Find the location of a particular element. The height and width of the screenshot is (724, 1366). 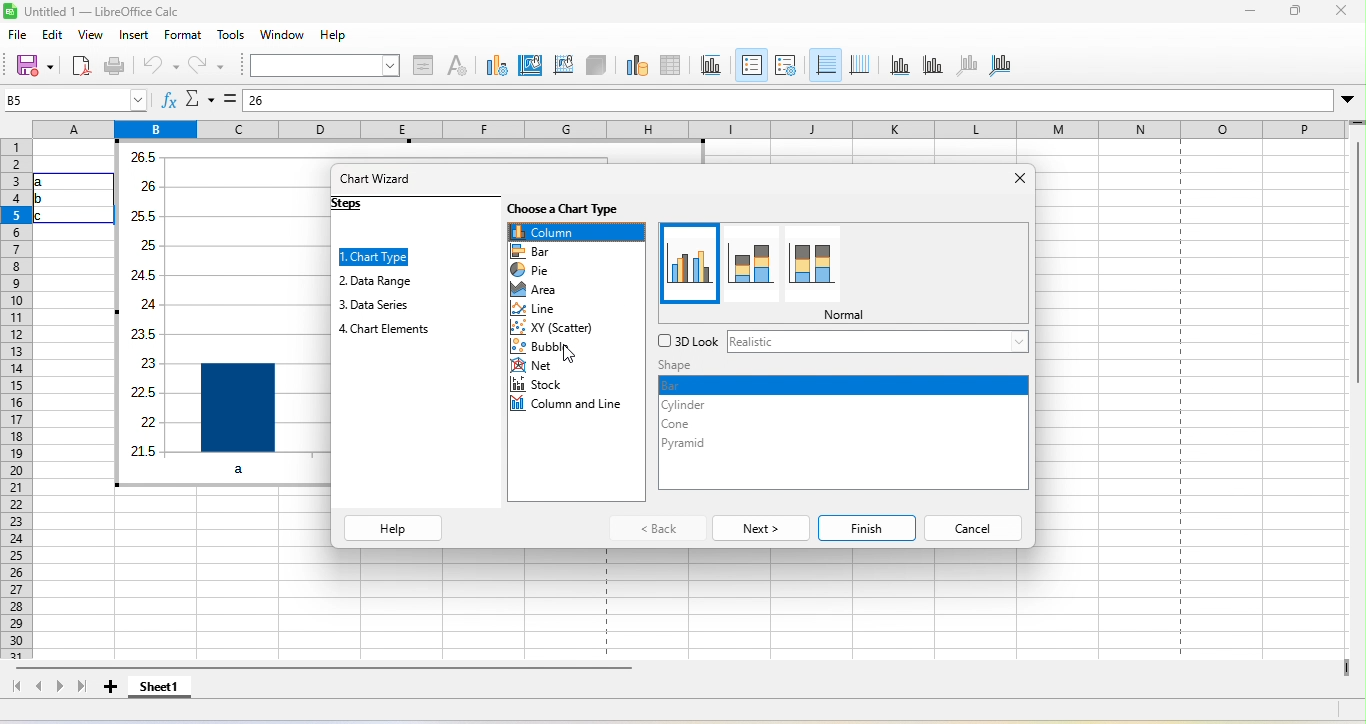

sheet 1 is located at coordinates (161, 690).